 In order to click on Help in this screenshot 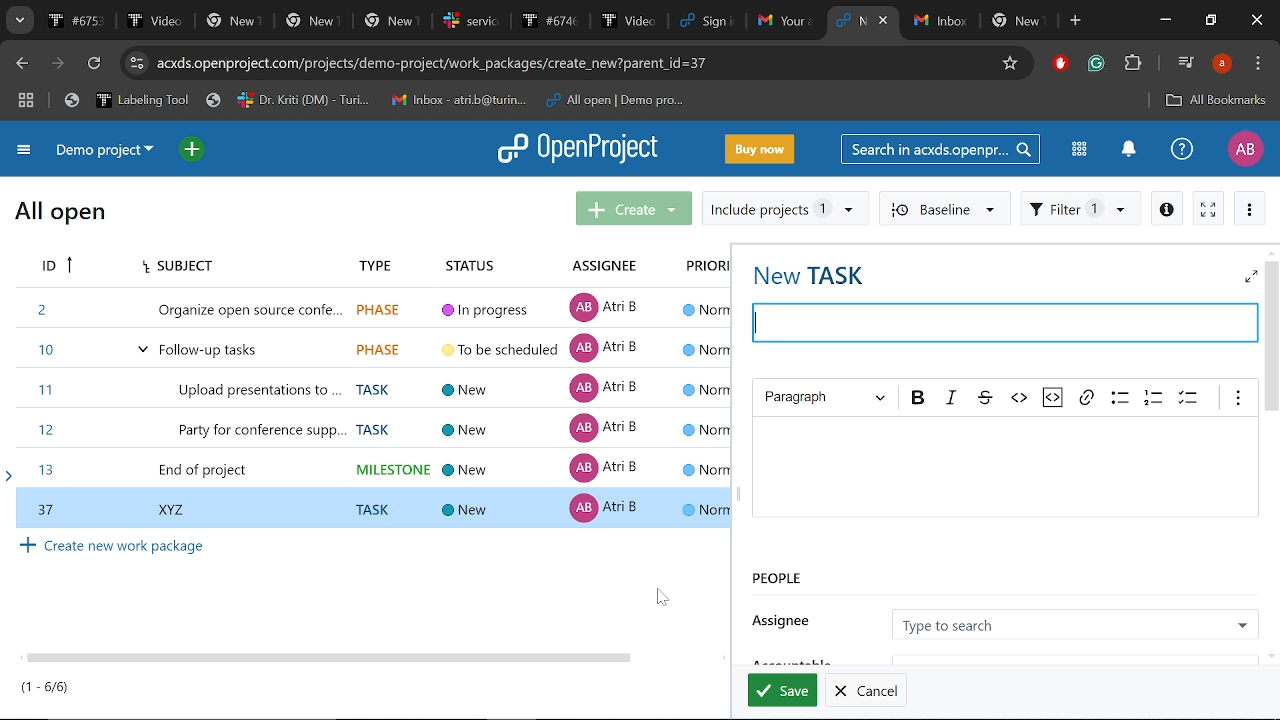, I will do `click(1182, 148)`.